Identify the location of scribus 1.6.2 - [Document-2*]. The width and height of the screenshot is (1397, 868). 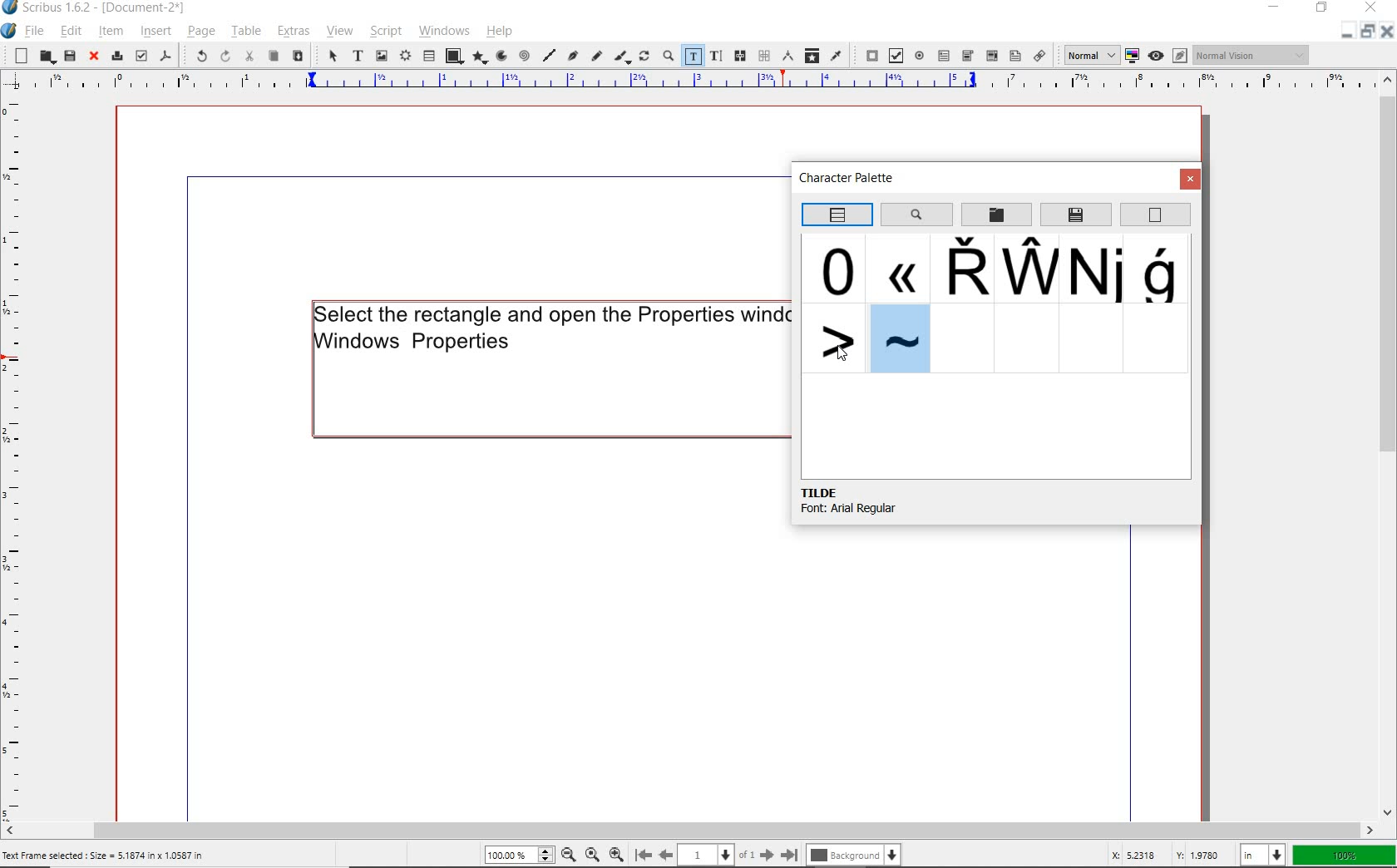
(111, 8).